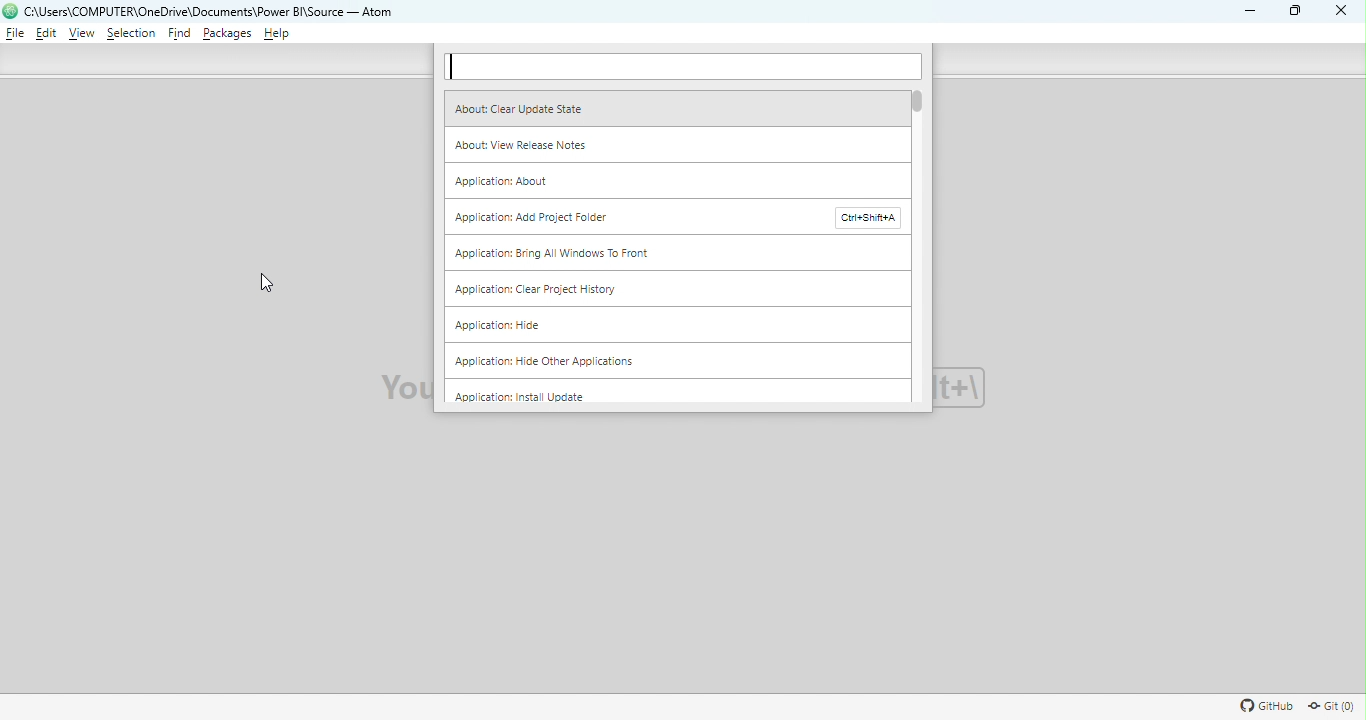 This screenshot has height=720, width=1366. Describe the element at coordinates (131, 36) in the screenshot. I see `Selection` at that location.